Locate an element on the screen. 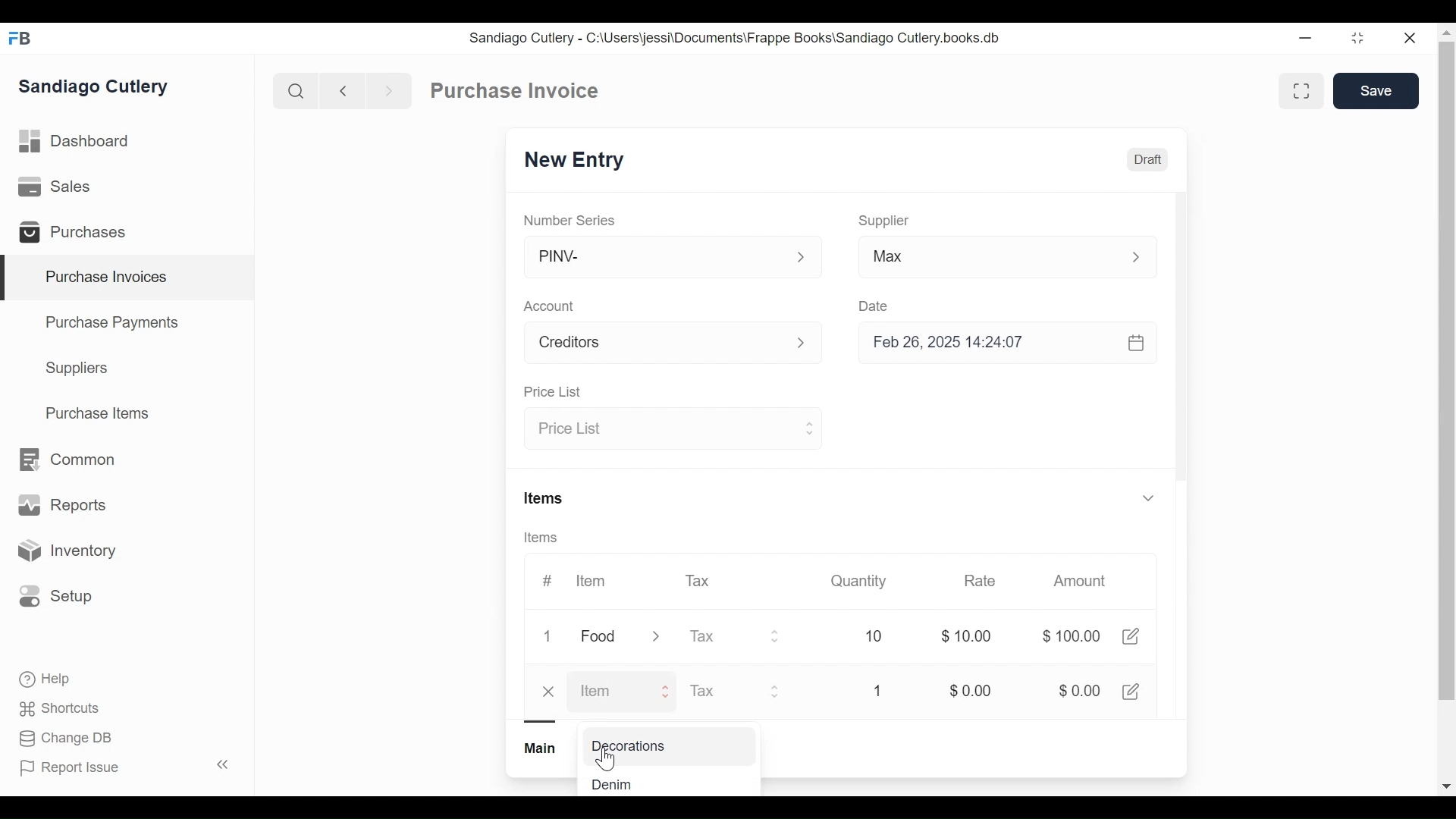 The height and width of the screenshot is (819, 1456). Search is located at coordinates (296, 90).